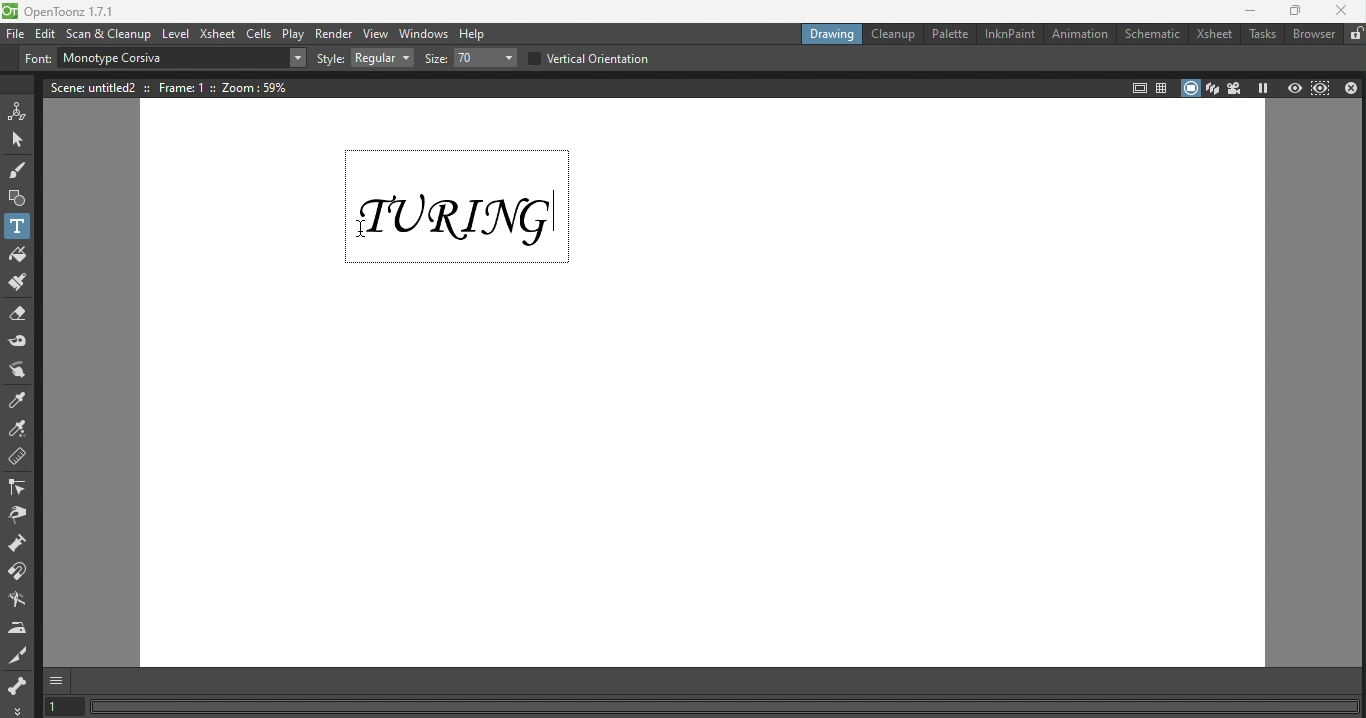 The width and height of the screenshot is (1366, 718). I want to click on 3D view, so click(1215, 89).